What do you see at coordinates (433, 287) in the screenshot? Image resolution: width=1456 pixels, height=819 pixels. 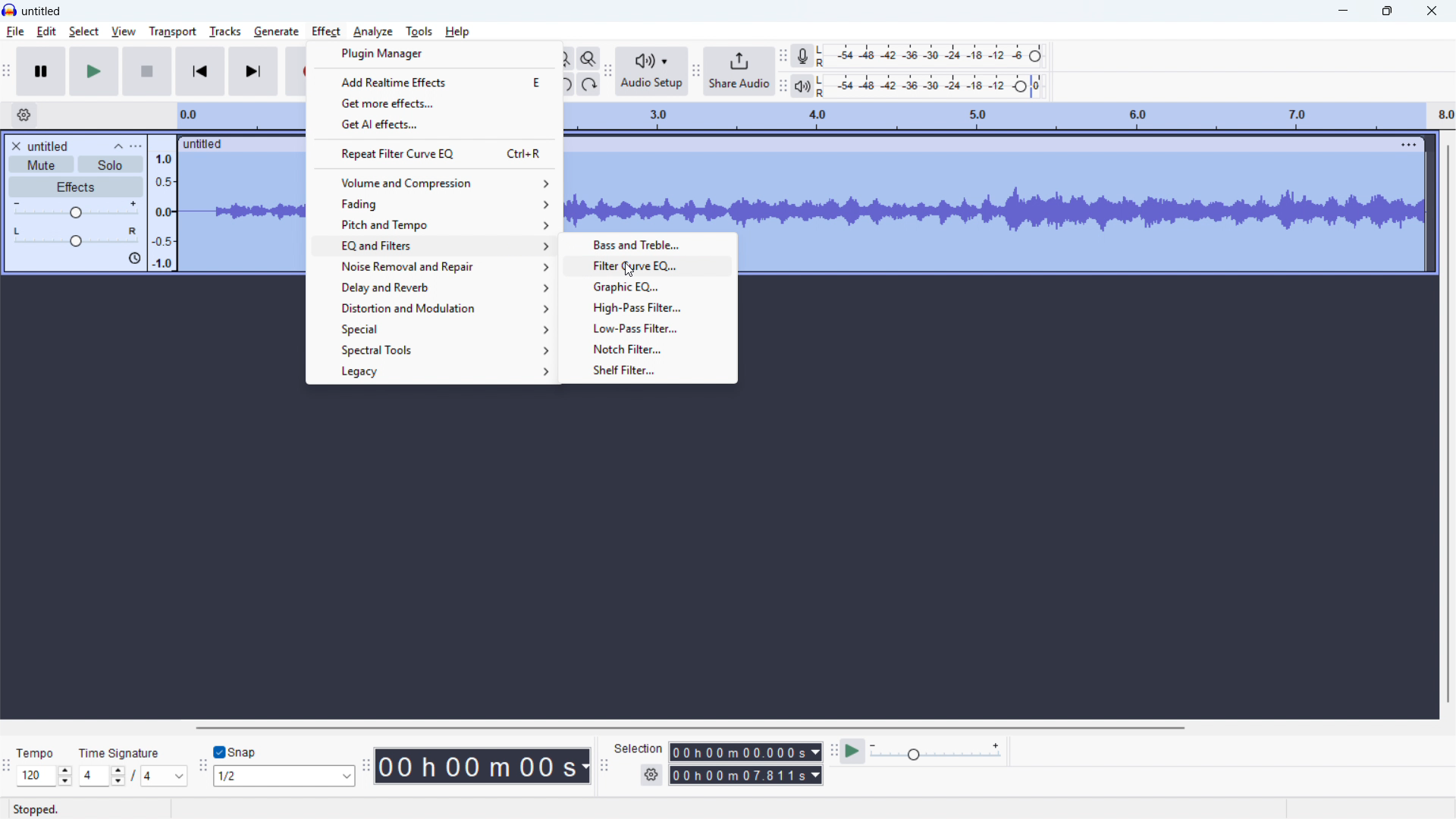 I see `Delay and reverb` at bounding box center [433, 287].